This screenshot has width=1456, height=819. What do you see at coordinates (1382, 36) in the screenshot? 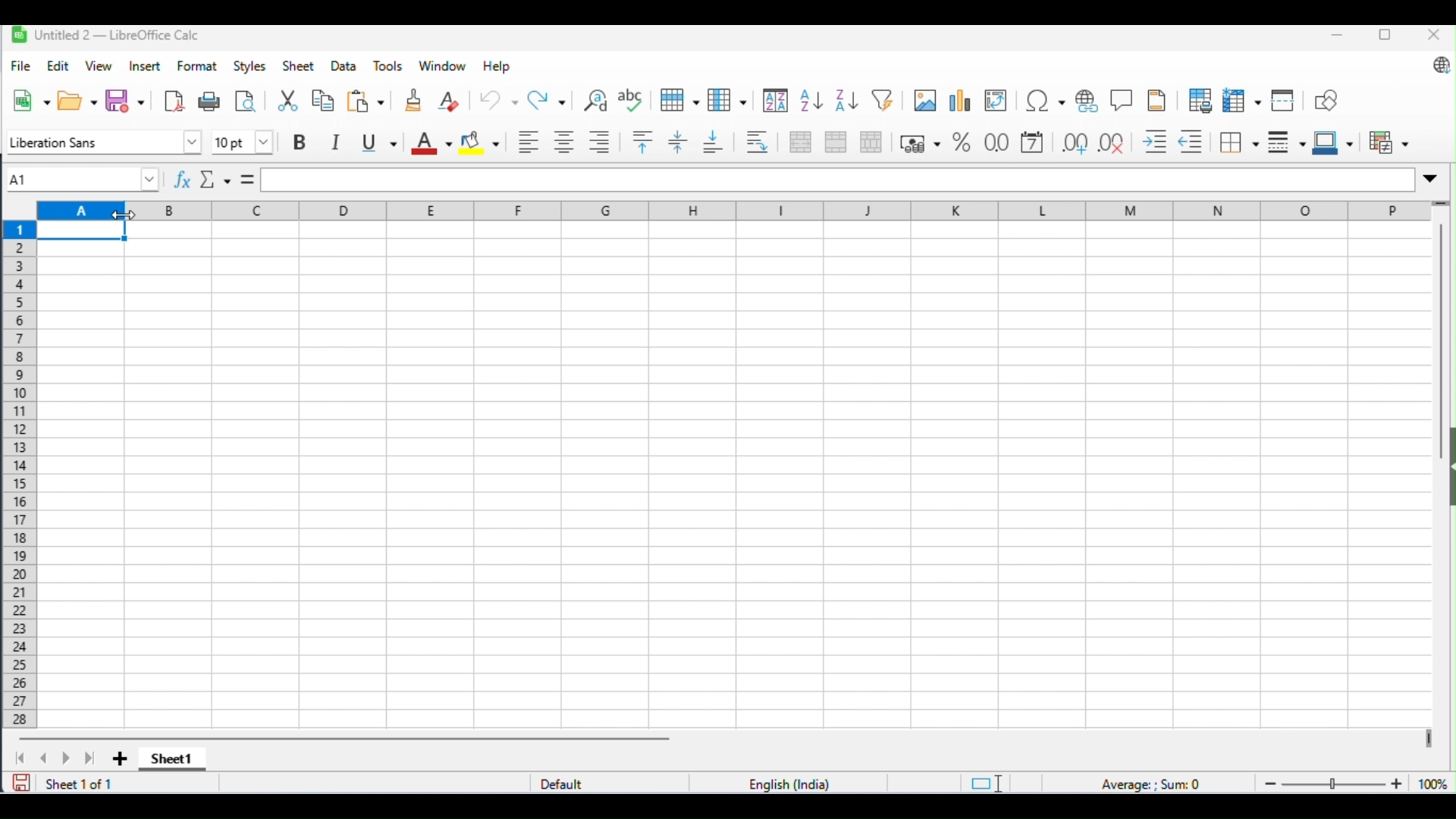
I see `maximize` at bounding box center [1382, 36].